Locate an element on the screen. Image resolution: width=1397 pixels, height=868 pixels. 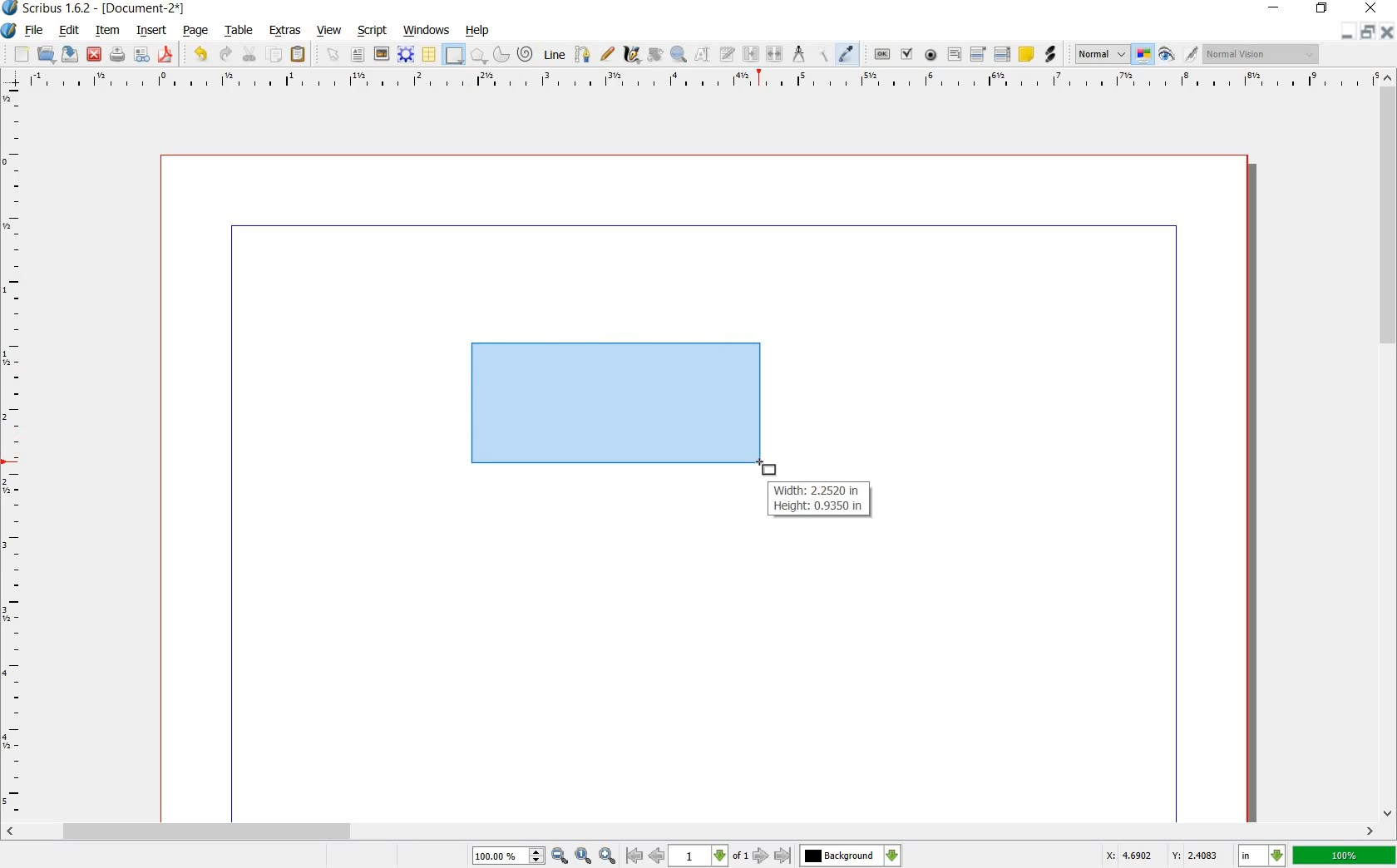
PDF LIST BOX is located at coordinates (1001, 54).